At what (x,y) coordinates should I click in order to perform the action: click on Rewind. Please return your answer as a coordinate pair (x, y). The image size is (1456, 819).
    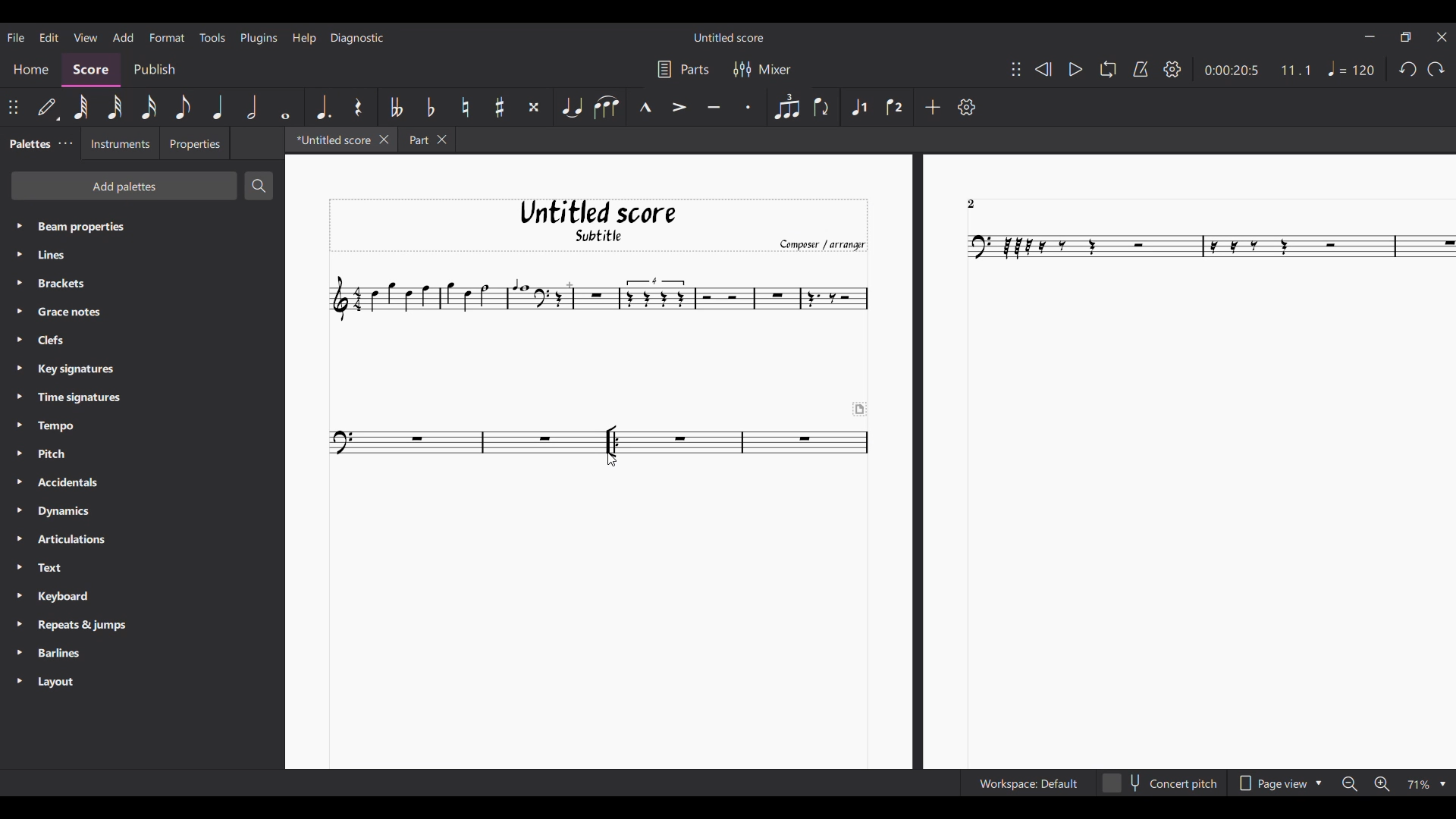
    Looking at the image, I should click on (1043, 69).